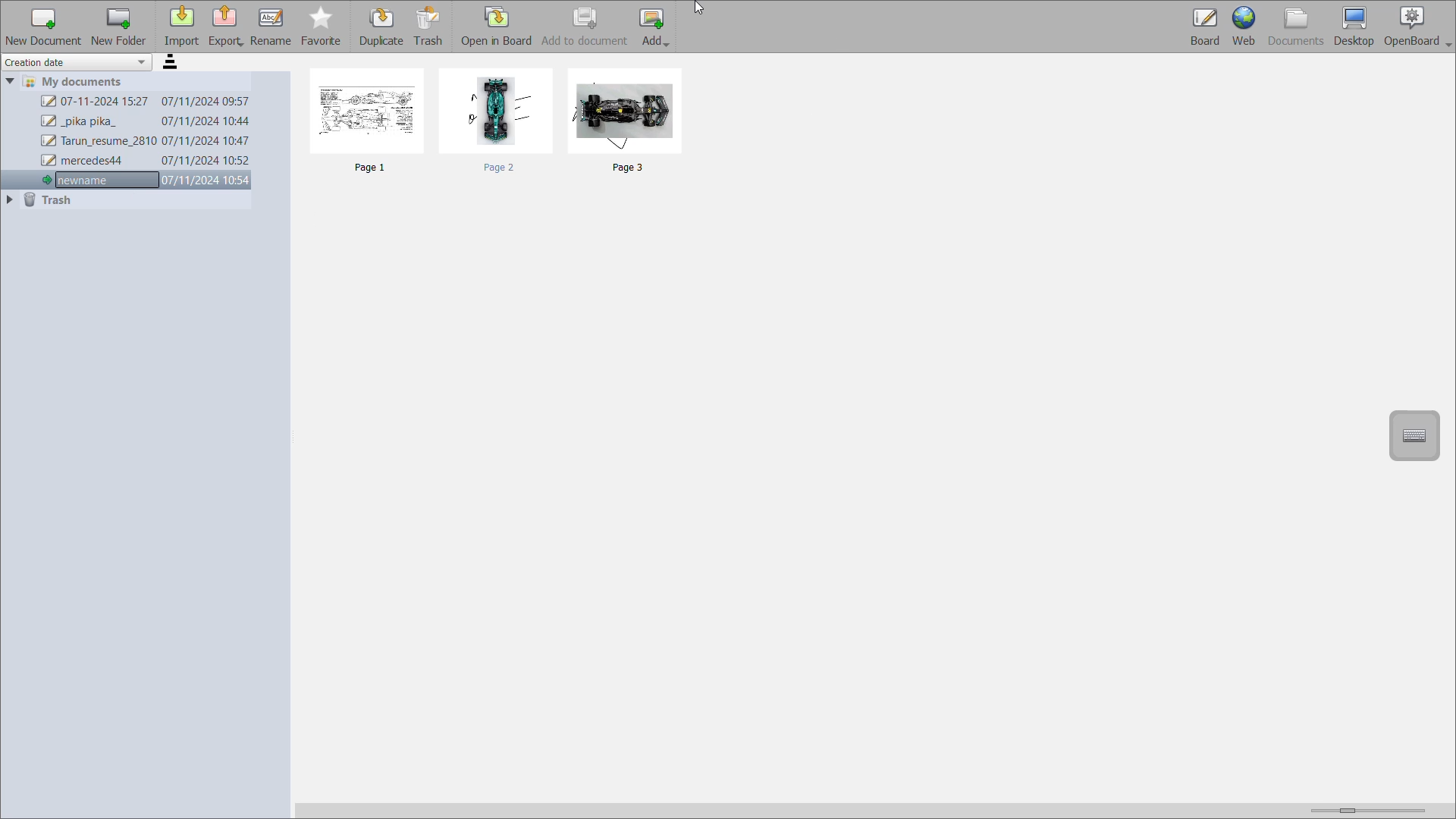 The height and width of the screenshot is (819, 1456). What do you see at coordinates (80, 81) in the screenshot?
I see `my documents` at bounding box center [80, 81].